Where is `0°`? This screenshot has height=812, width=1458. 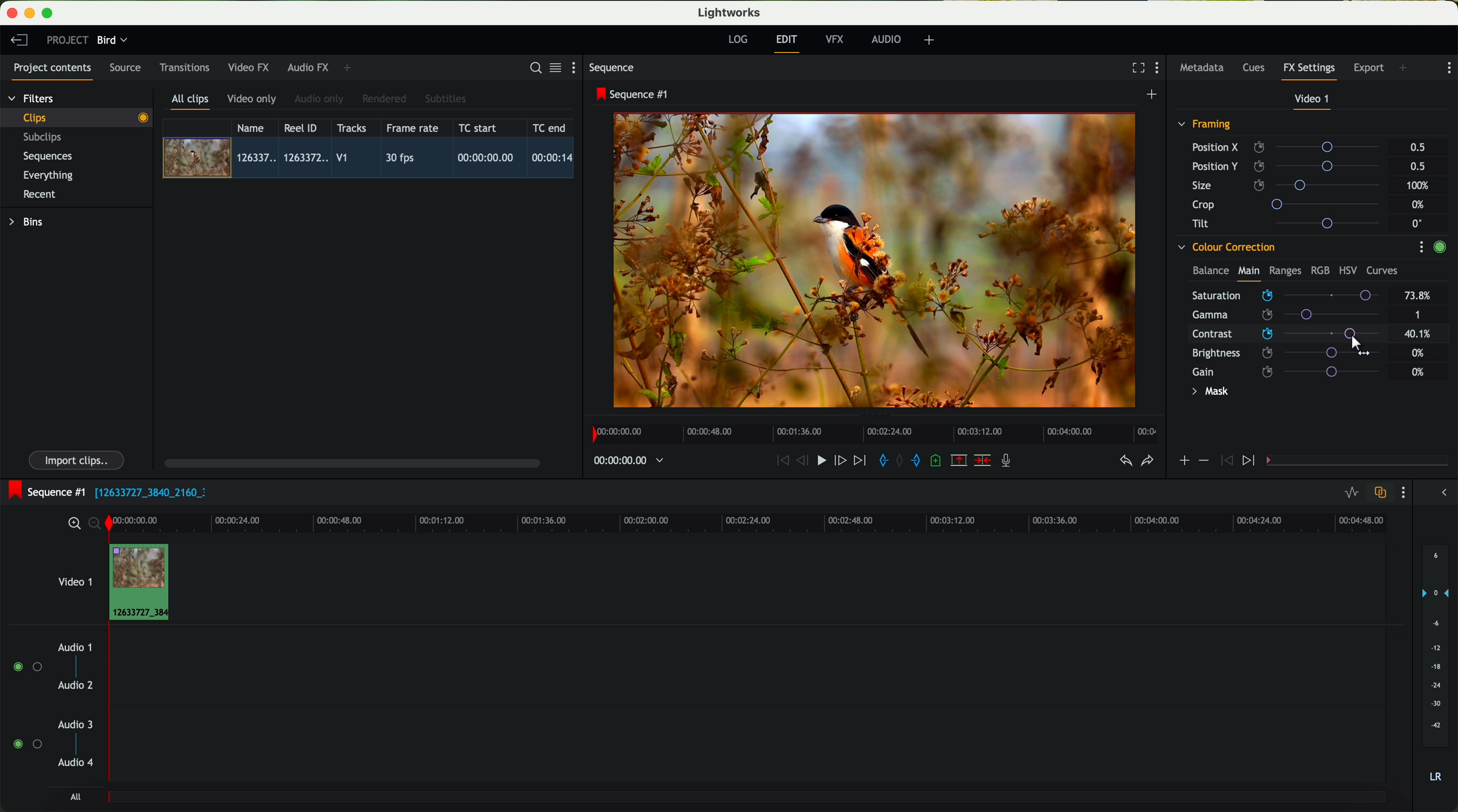 0° is located at coordinates (1418, 223).